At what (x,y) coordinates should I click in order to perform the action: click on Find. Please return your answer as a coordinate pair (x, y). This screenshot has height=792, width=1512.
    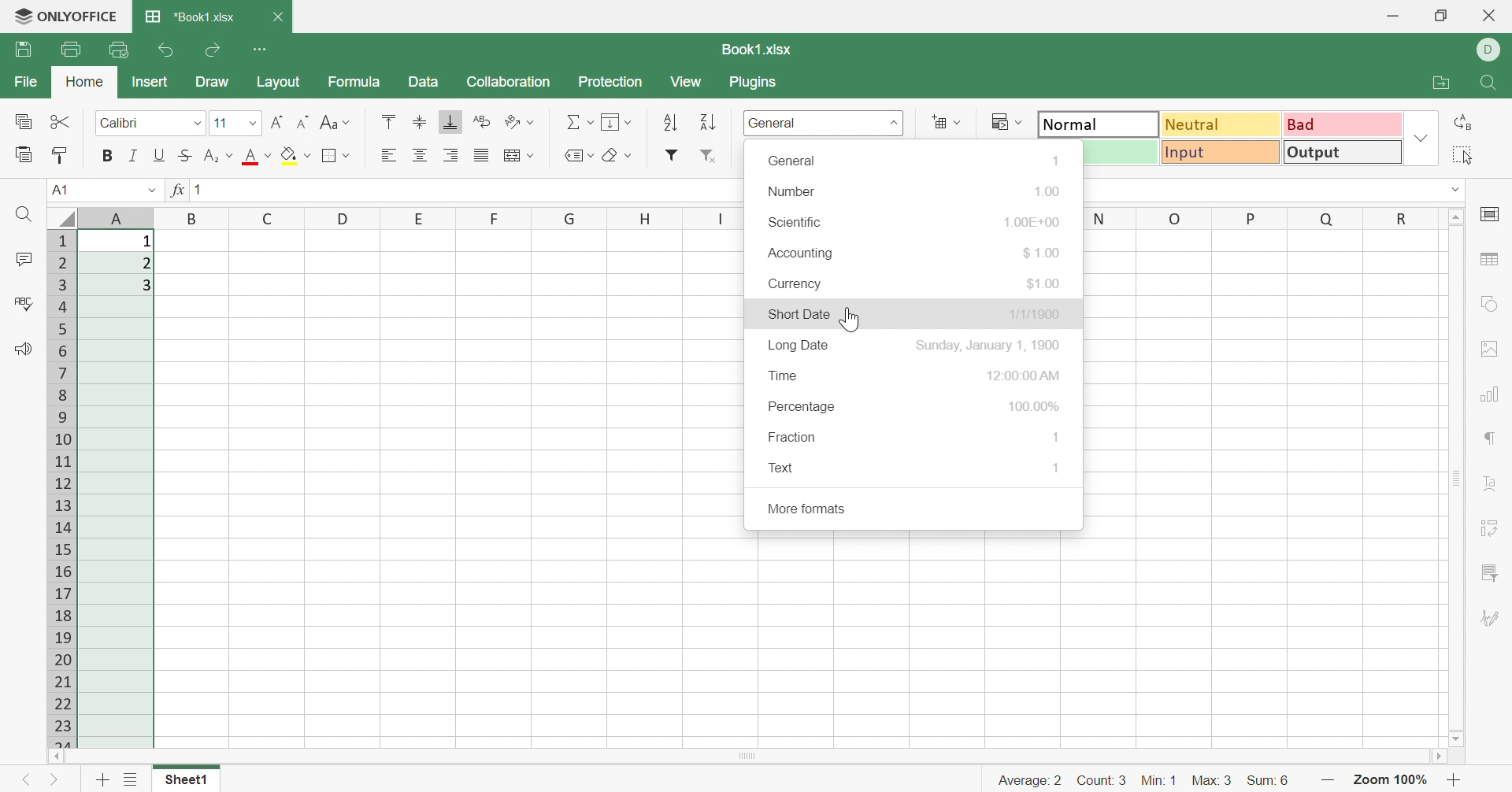
    Looking at the image, I should click on (22, 215).